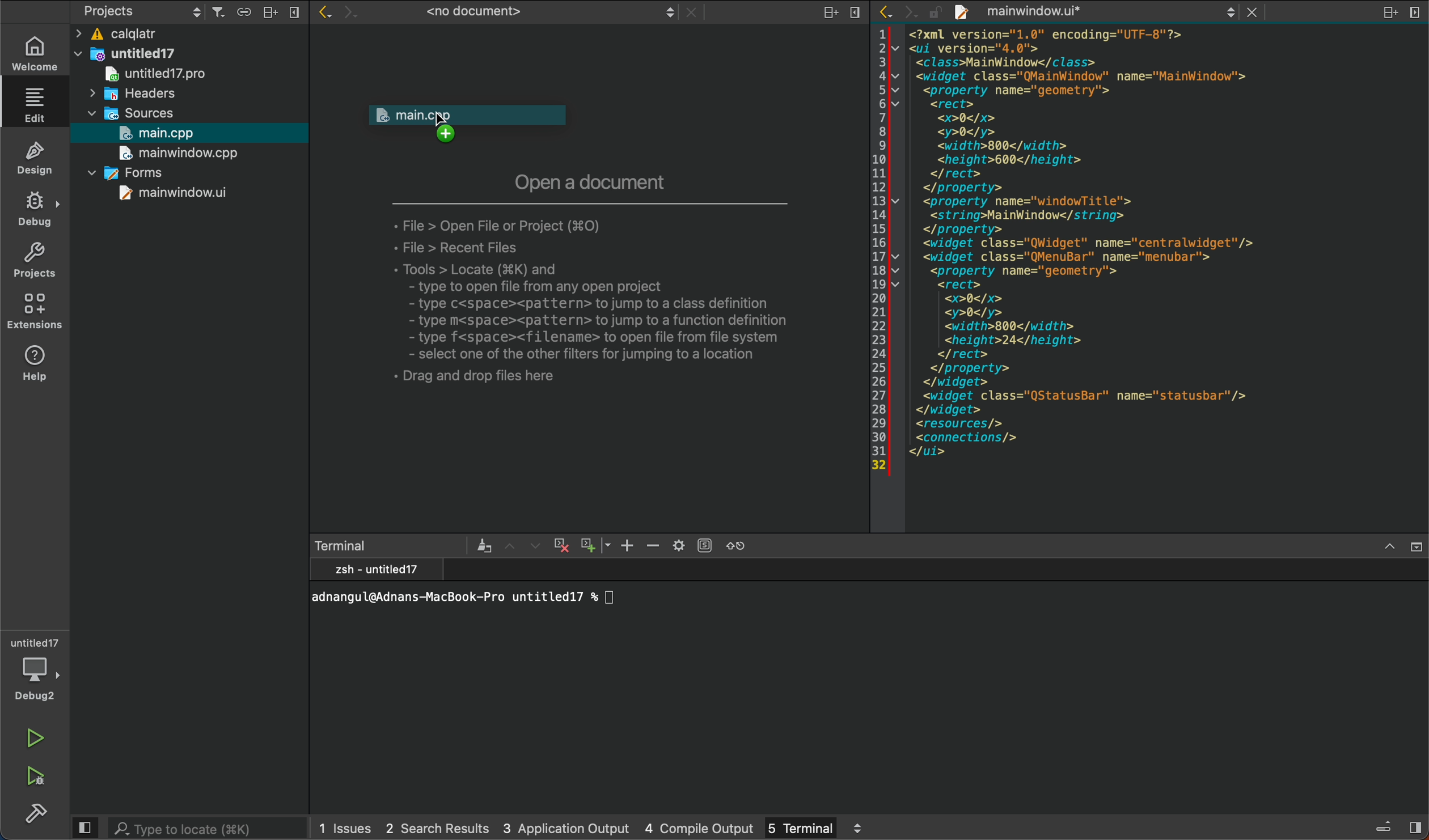  Describe the element at coordinates (36, 366) in the screenshot. I see `help` at that location.